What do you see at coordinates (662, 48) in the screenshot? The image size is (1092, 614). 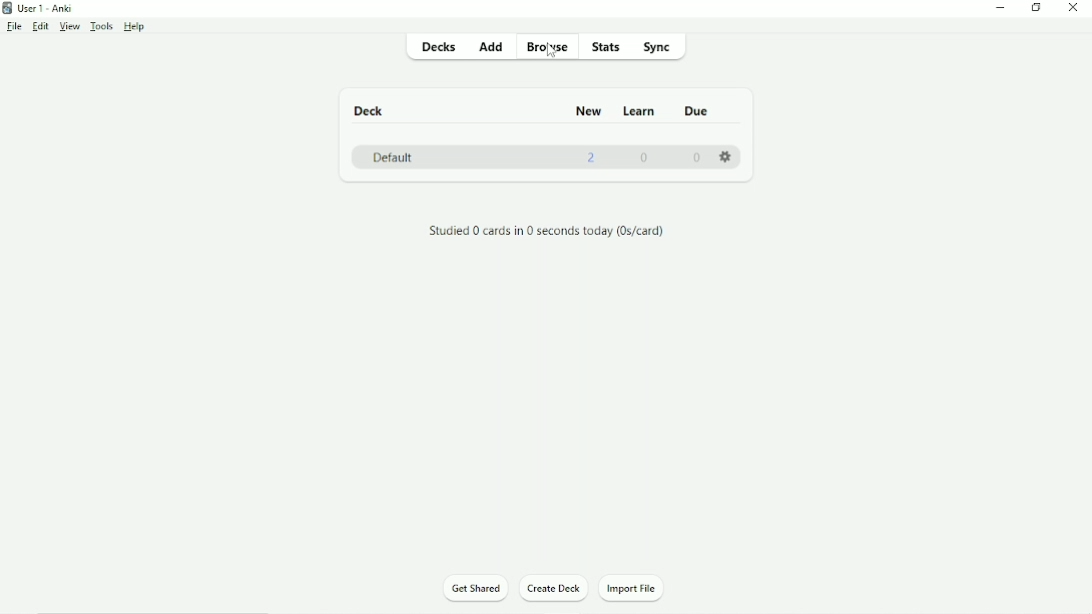 I see `Sync` at bounding box center [662, 48].